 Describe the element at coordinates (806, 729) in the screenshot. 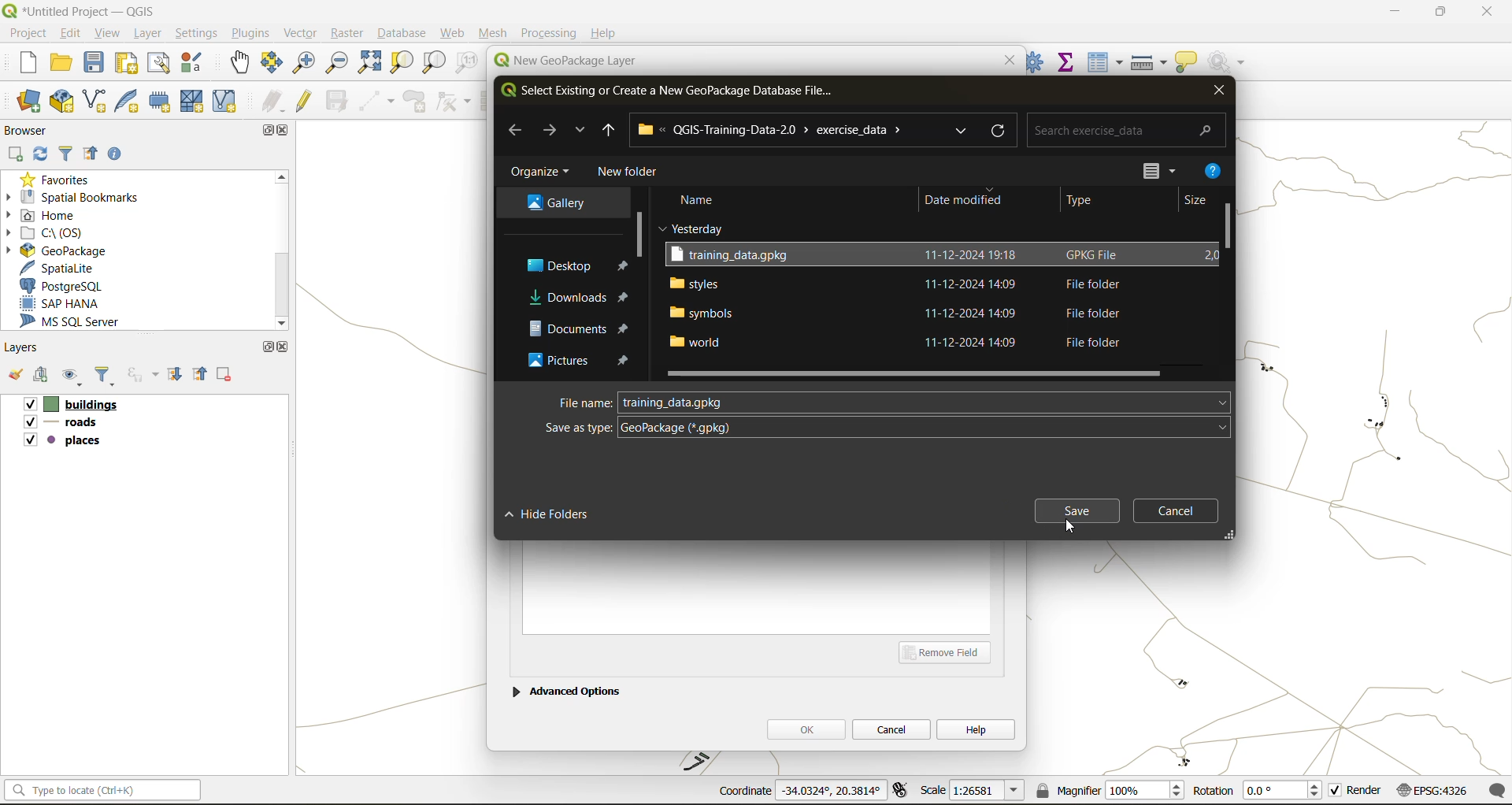

I see `ok` at that location.